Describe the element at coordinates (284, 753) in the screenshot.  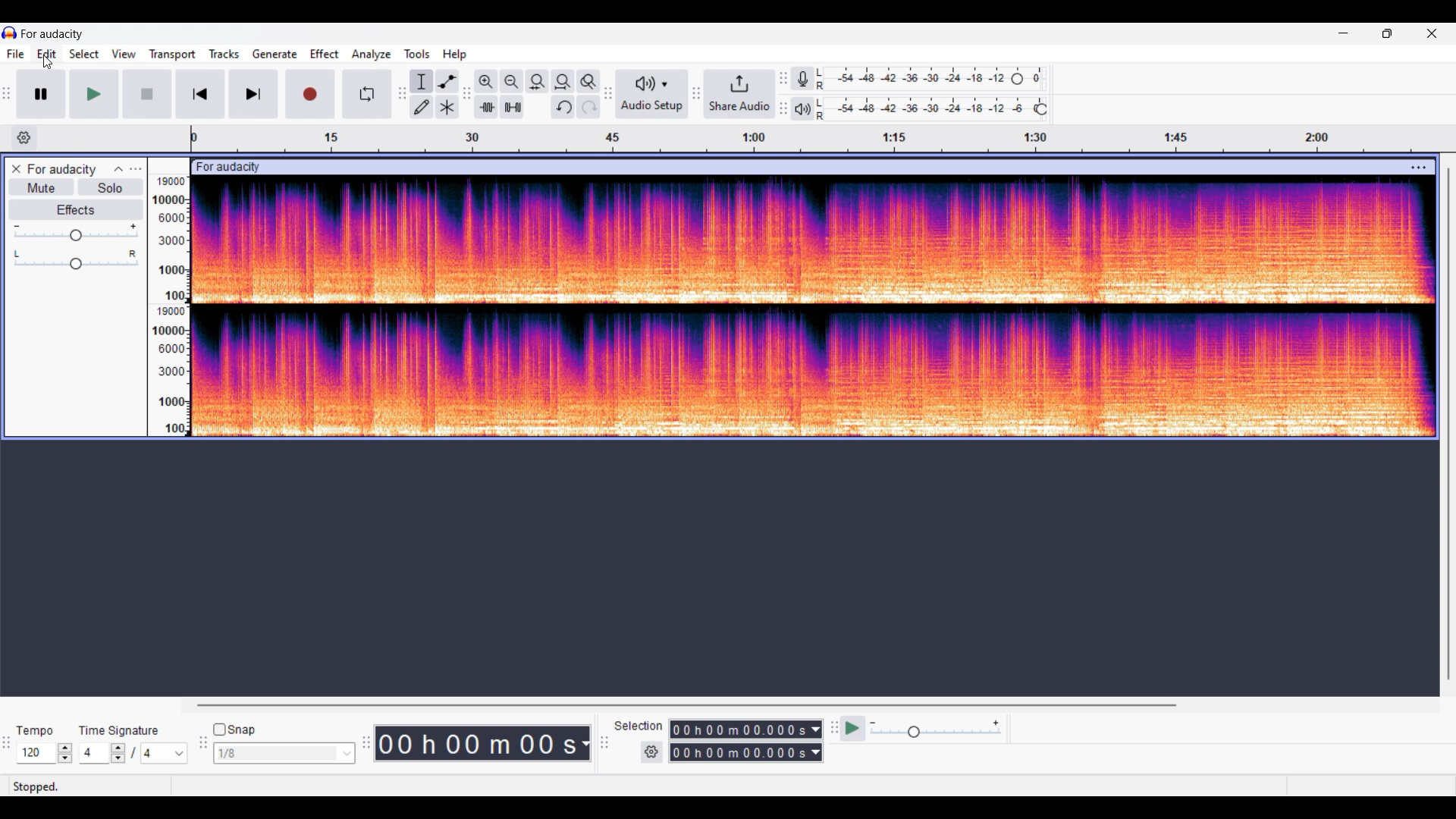
I see `Snap options` at that location.